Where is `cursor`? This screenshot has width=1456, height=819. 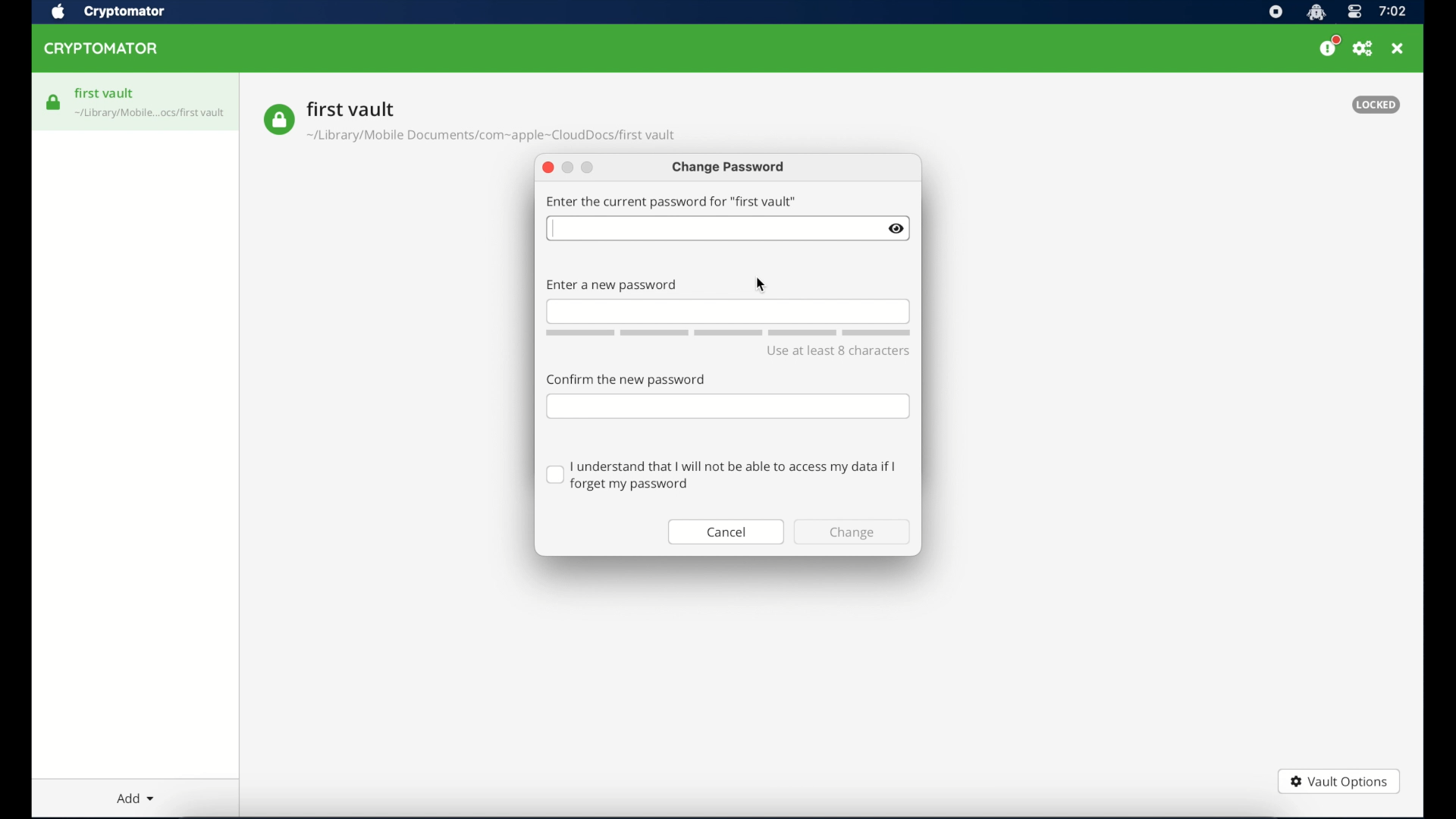
cursor is located at coordinates (761, 283).